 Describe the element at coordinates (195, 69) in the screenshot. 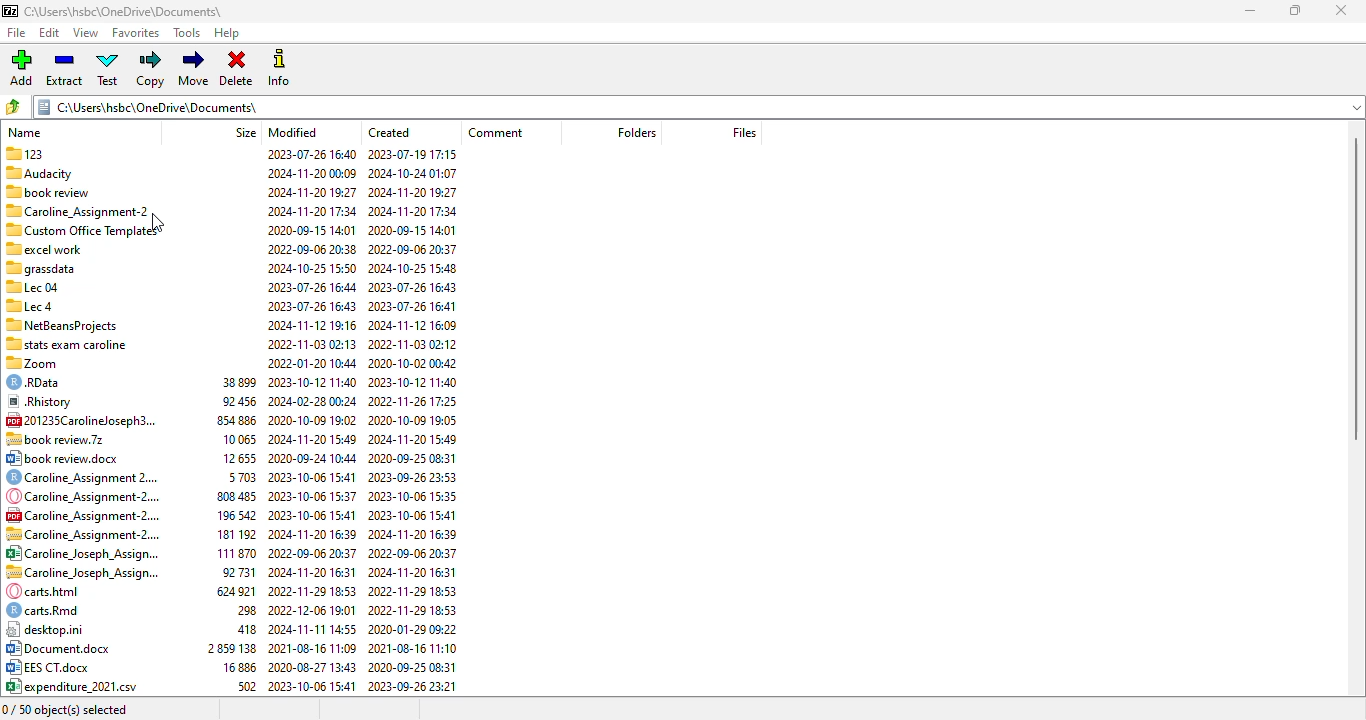

I see `move` at that location.